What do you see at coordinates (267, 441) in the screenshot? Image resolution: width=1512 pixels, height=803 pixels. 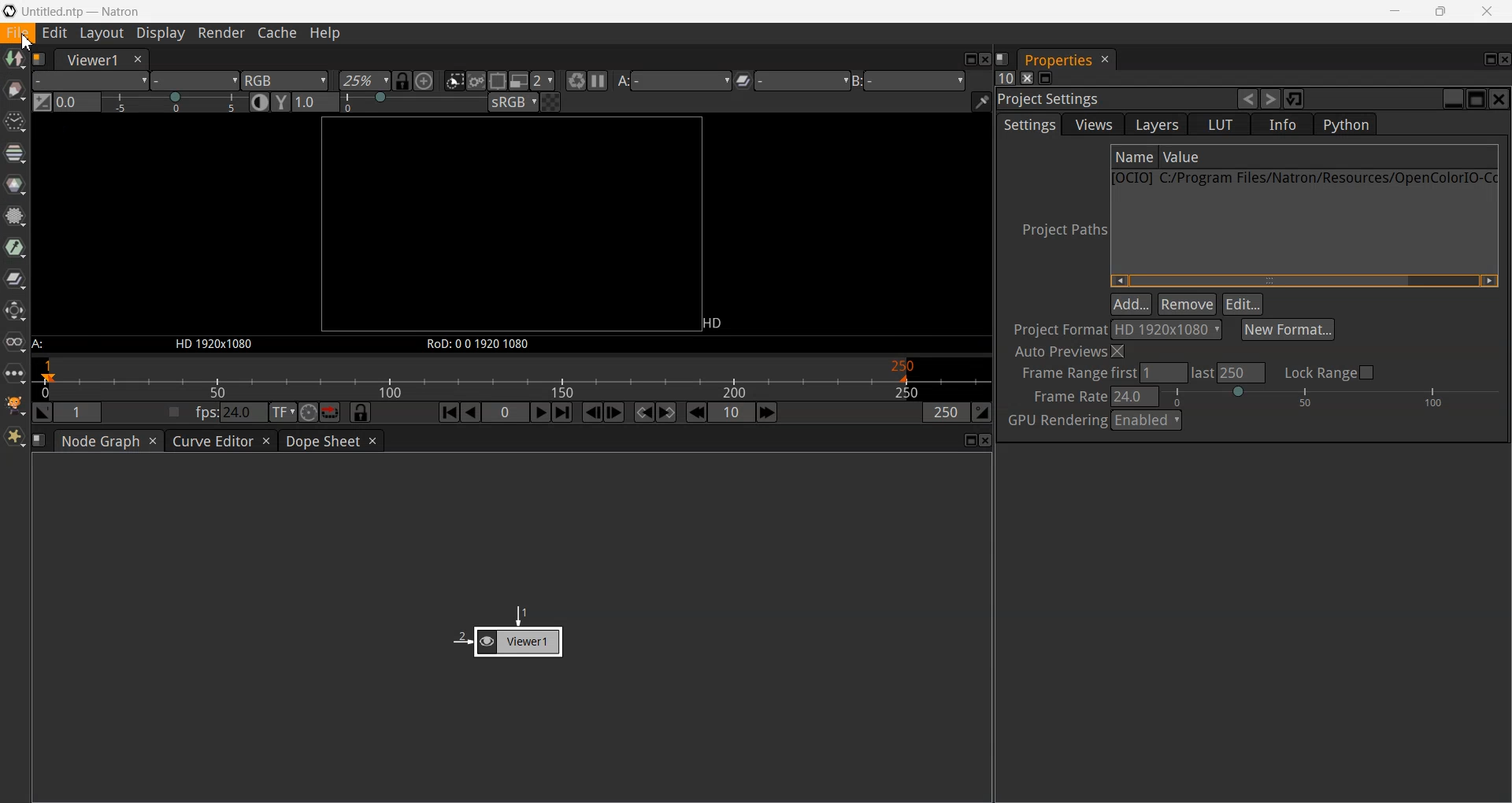 I see `Close curve editor` at bounding box center [267, 441].